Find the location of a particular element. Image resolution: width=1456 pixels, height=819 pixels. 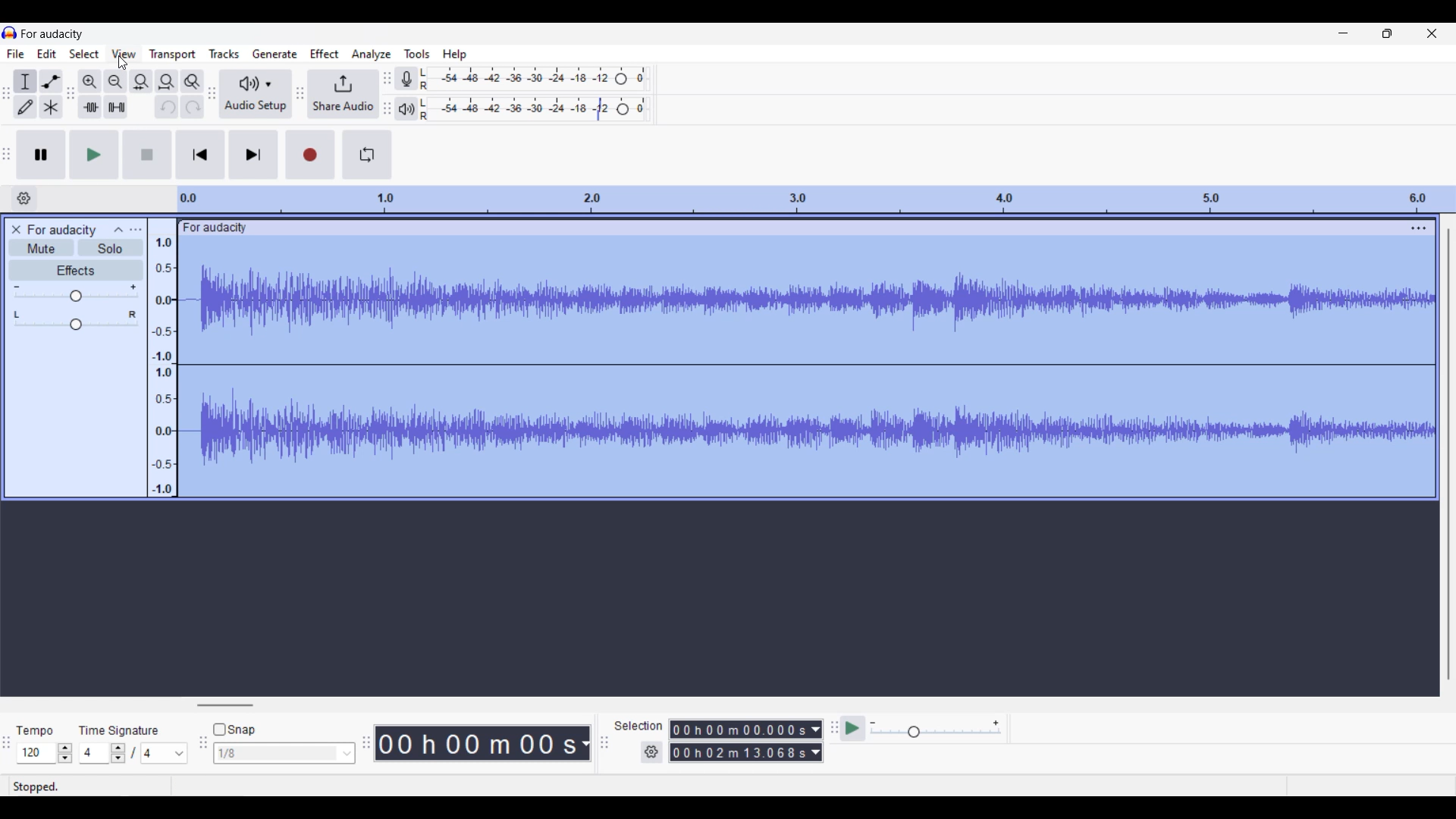

Edit menu is located at coordinates (47, 54).